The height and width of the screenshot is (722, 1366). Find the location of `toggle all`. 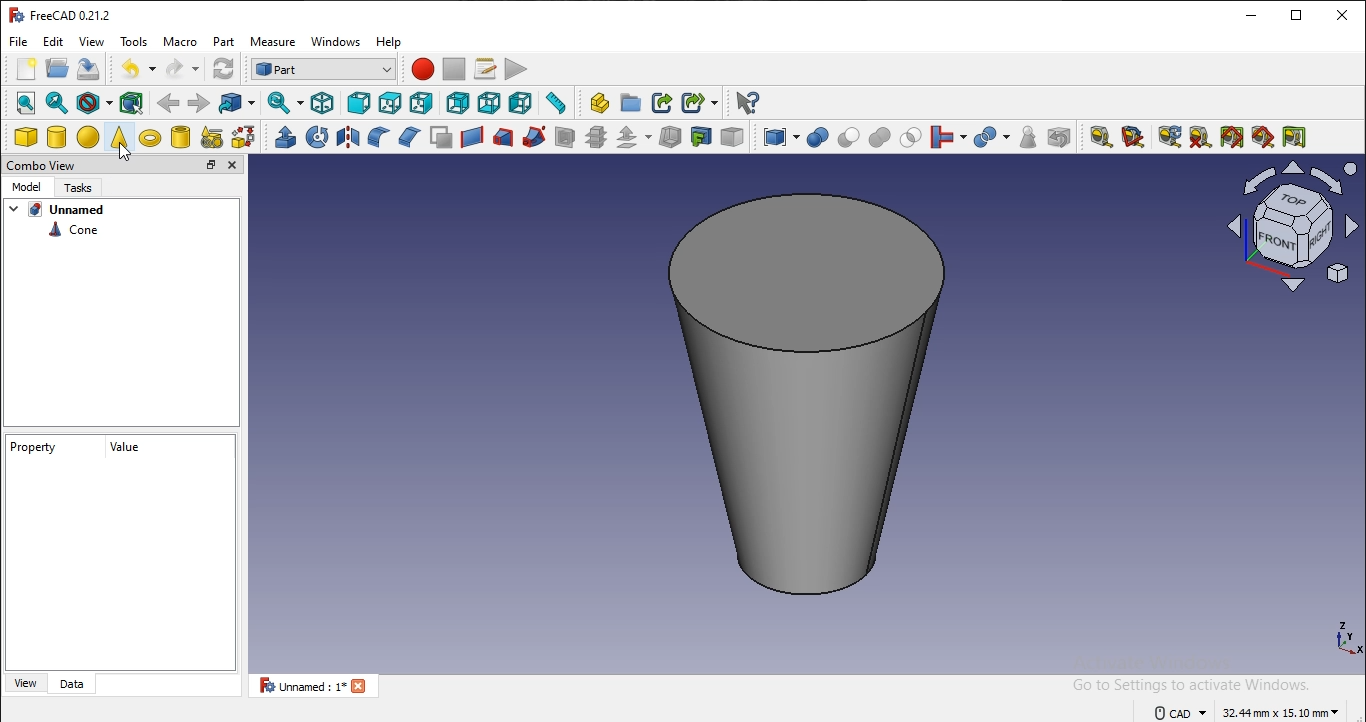

toggle all is located at coordinates (1232, 136).